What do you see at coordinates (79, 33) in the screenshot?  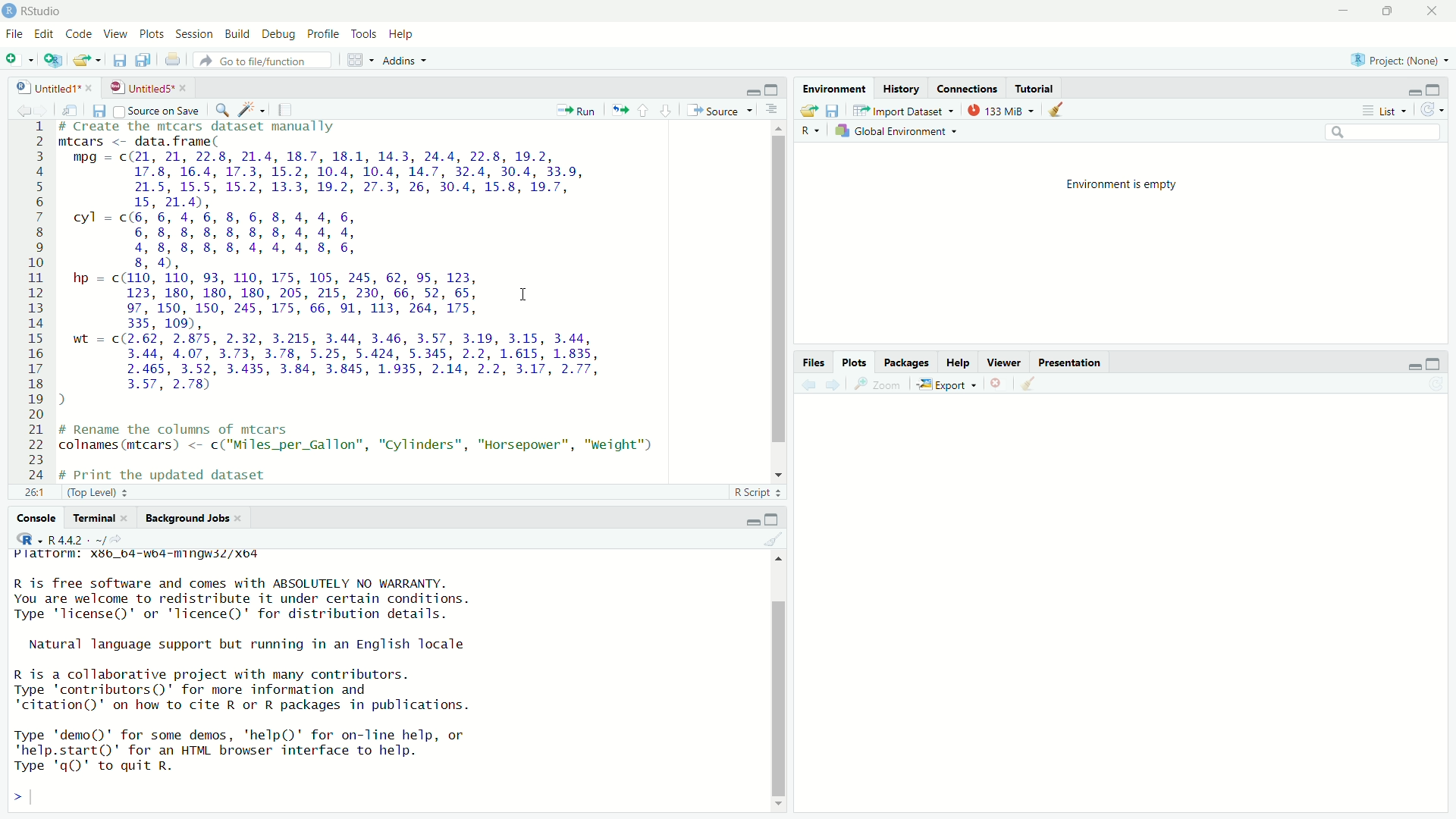 I see `Code` at bounding box center [79, 33].